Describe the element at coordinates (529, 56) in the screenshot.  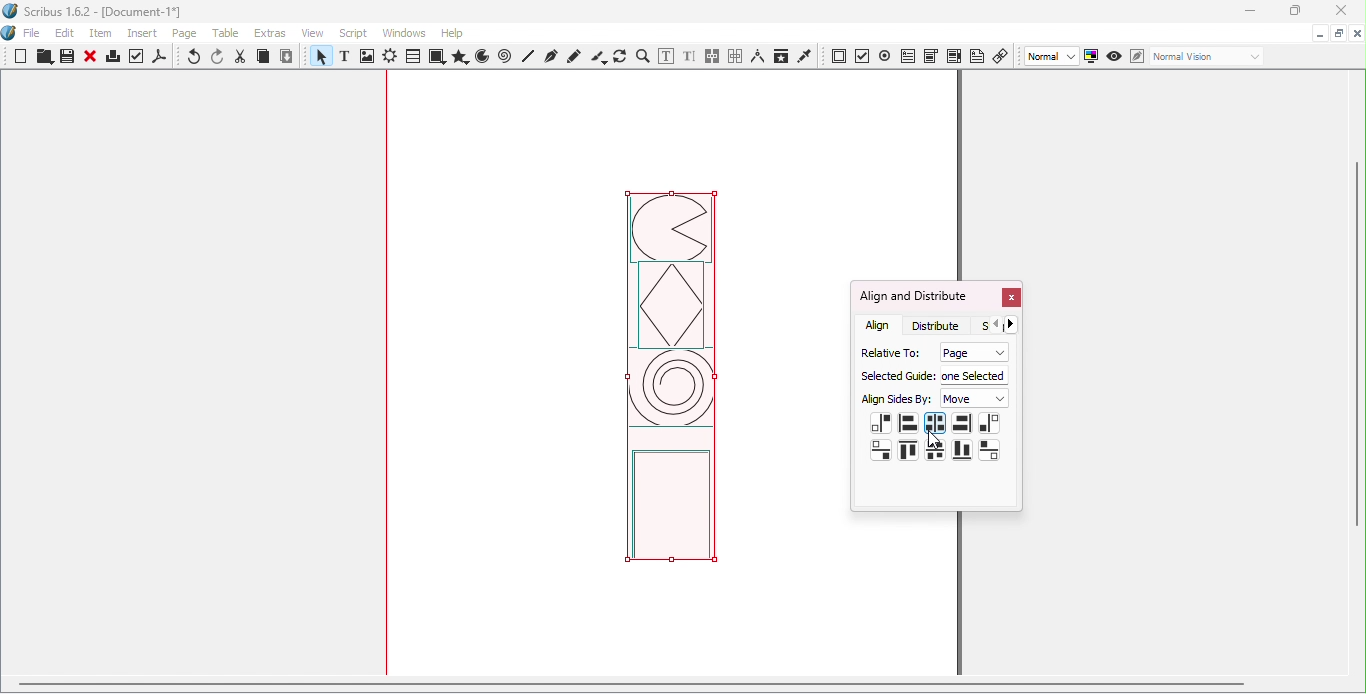
I see `Line` at that location.